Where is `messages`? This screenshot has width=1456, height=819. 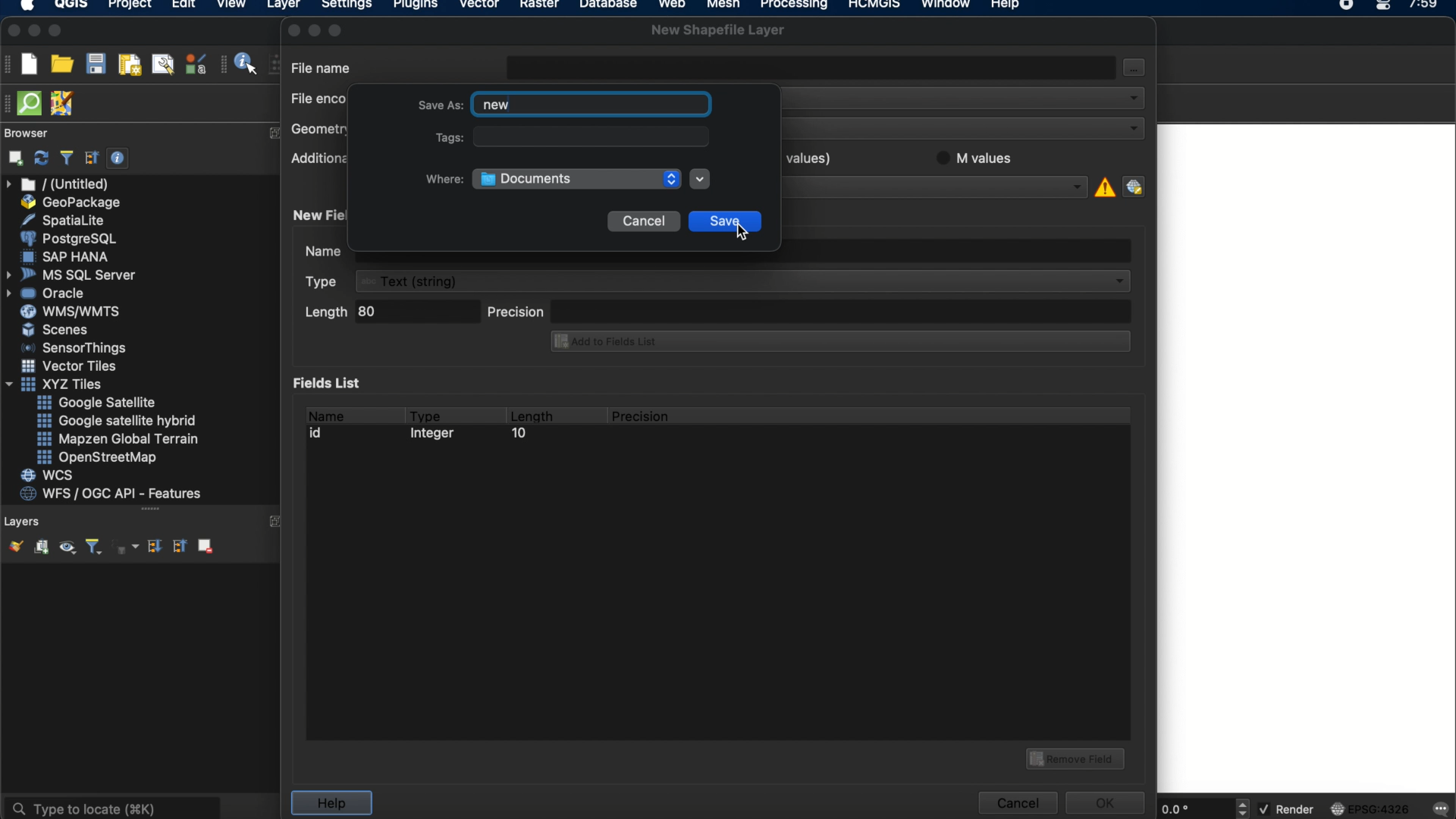 messages is located at coordinates (1439, 810).